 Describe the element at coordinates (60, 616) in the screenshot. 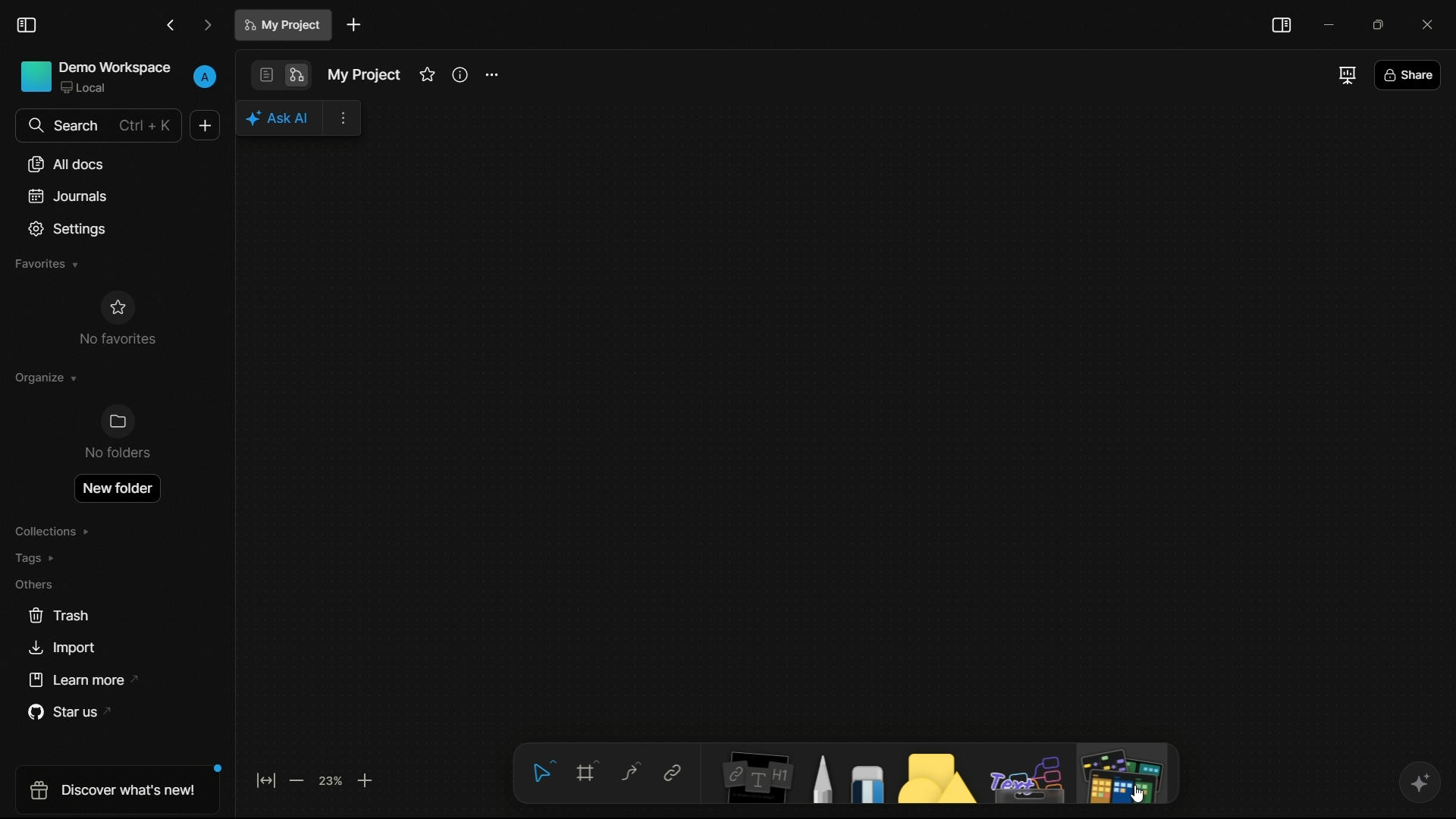

I see `trash` at that location.